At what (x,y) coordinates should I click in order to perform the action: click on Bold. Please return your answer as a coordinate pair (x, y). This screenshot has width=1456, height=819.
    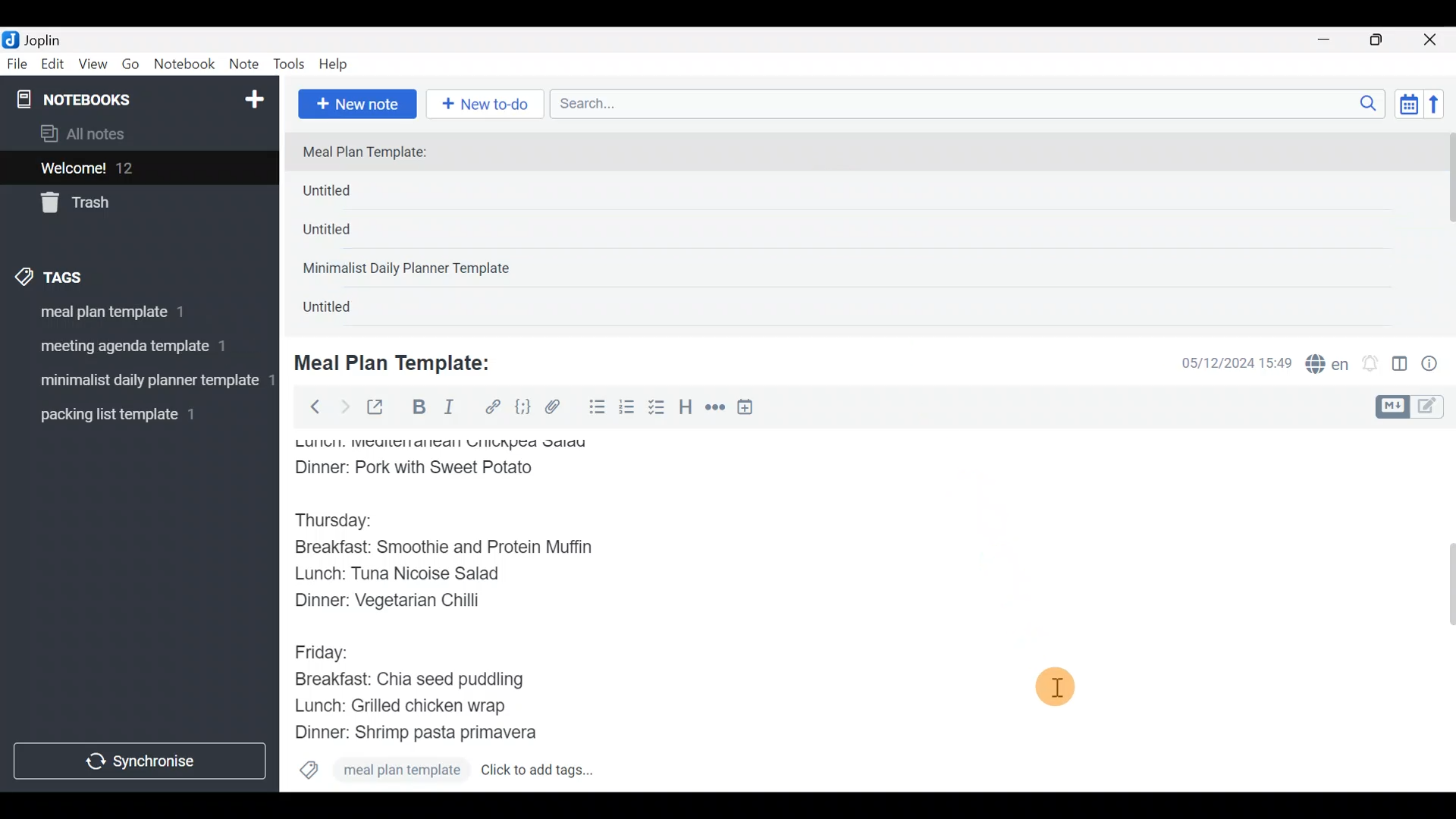
    Looking at the image, I should click on (418, 409).